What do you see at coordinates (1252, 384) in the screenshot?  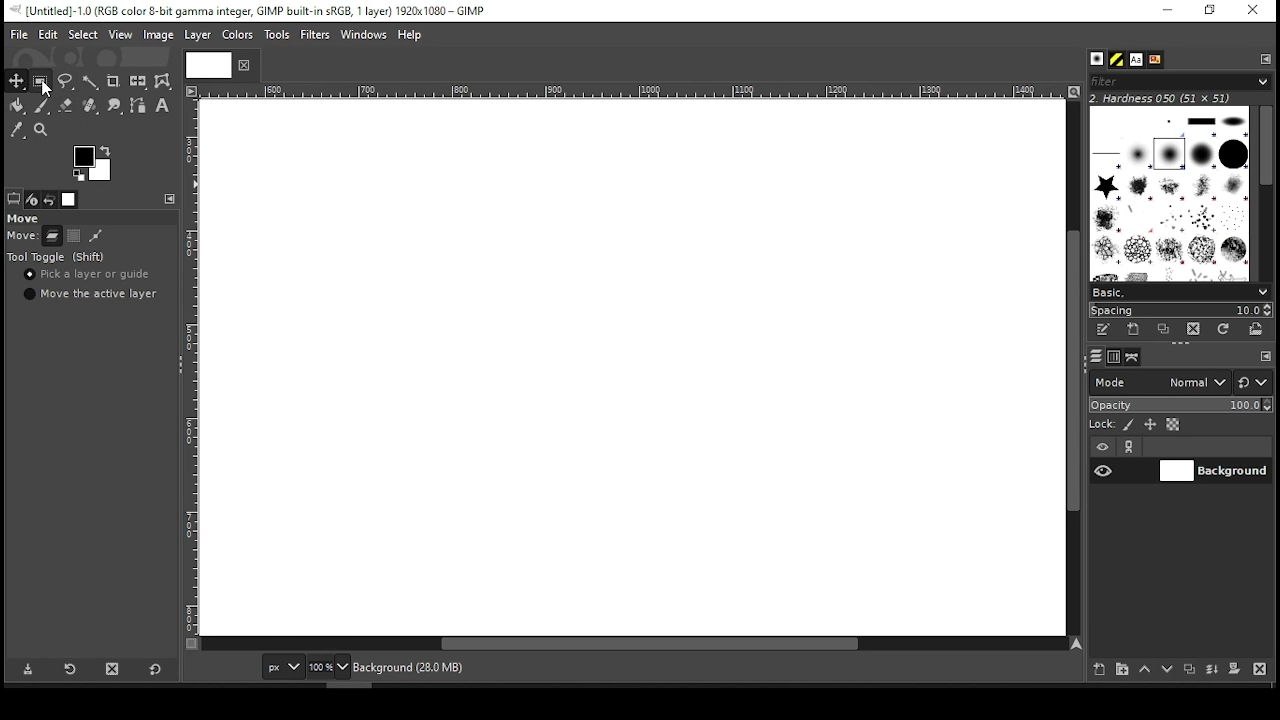 I see `switch to other mode groups` at bounding box center [1252, 384].